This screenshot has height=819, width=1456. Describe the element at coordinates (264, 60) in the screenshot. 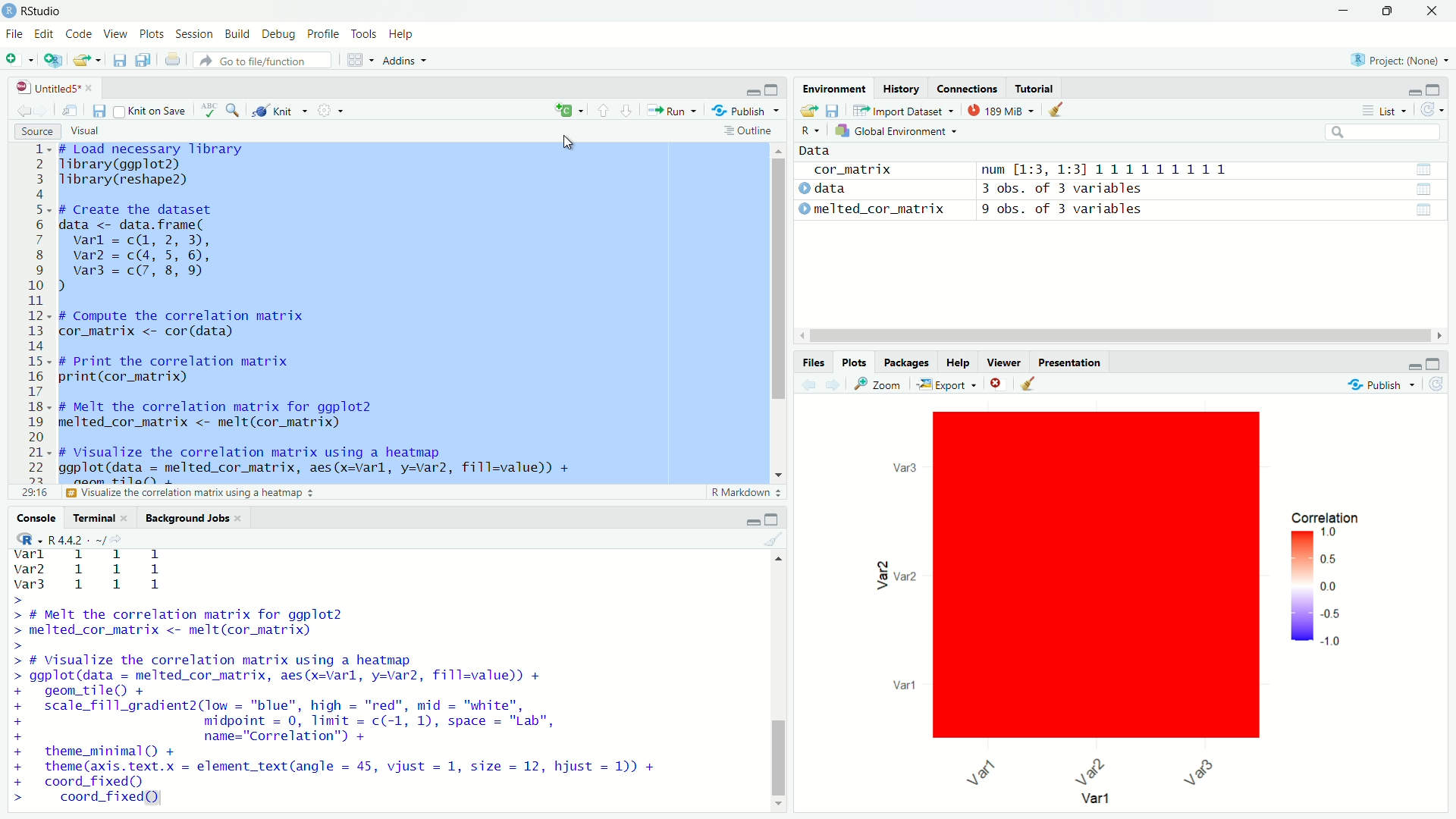

I see `go to file/function` at that location.